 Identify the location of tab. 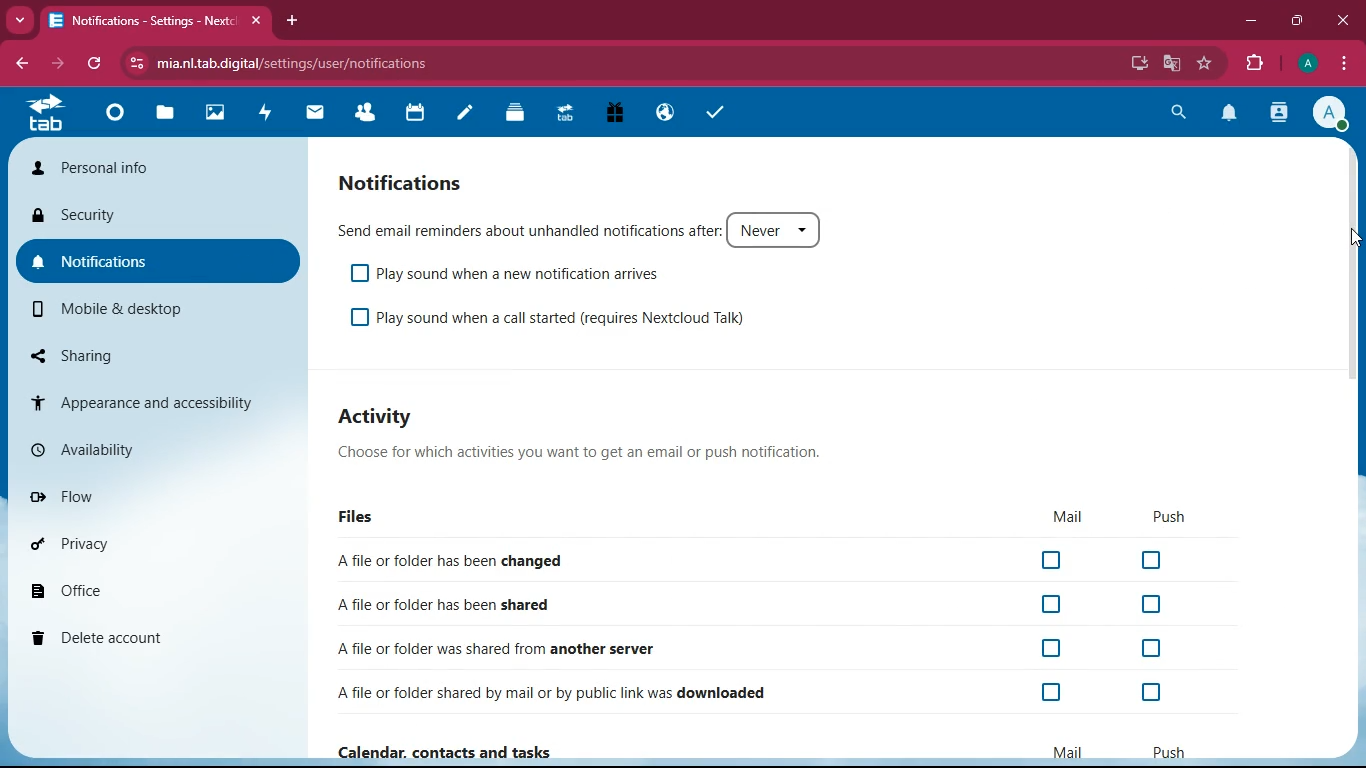
(50, 114).